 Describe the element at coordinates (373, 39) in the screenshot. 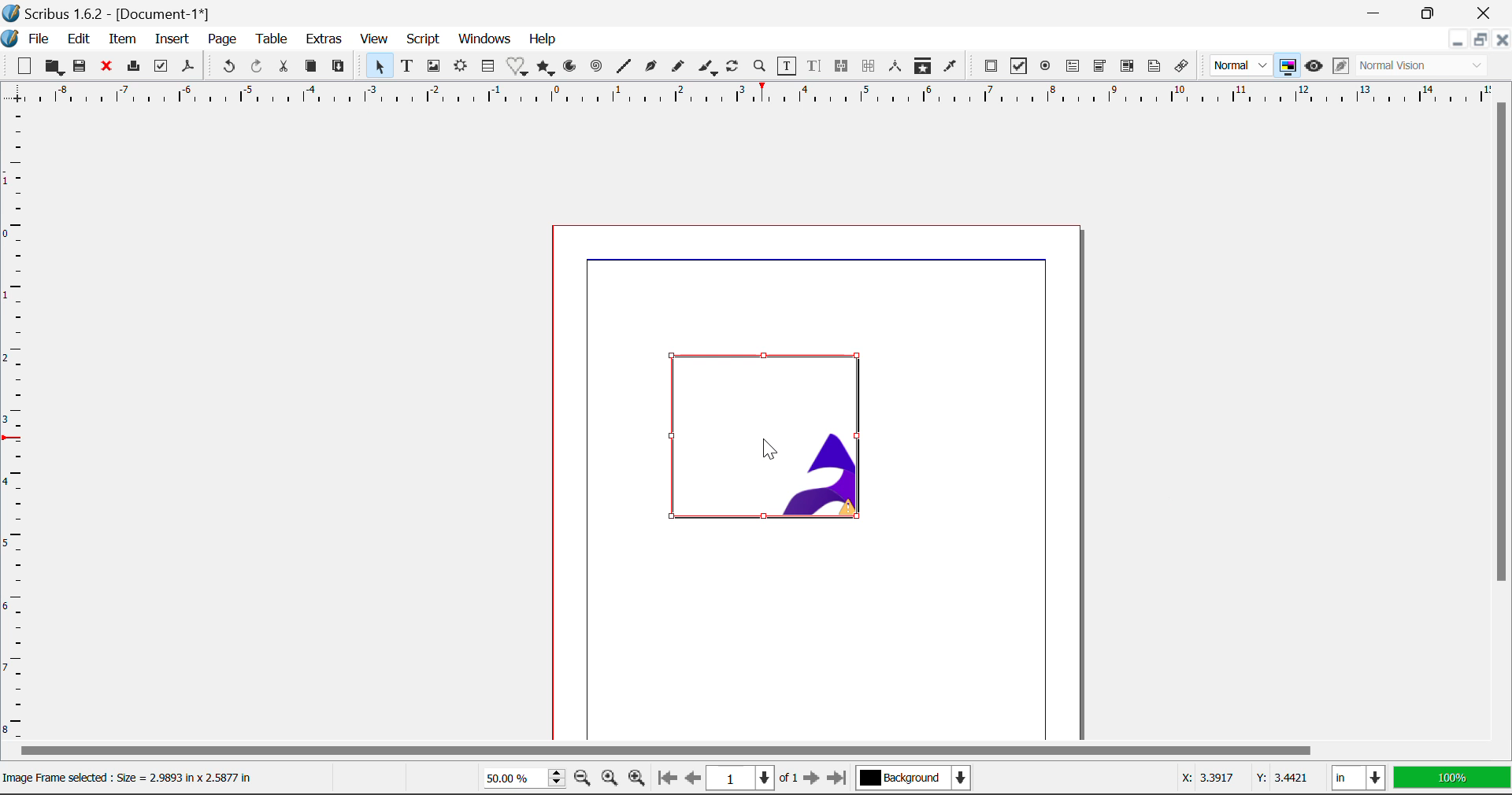

I see `View` at that location.